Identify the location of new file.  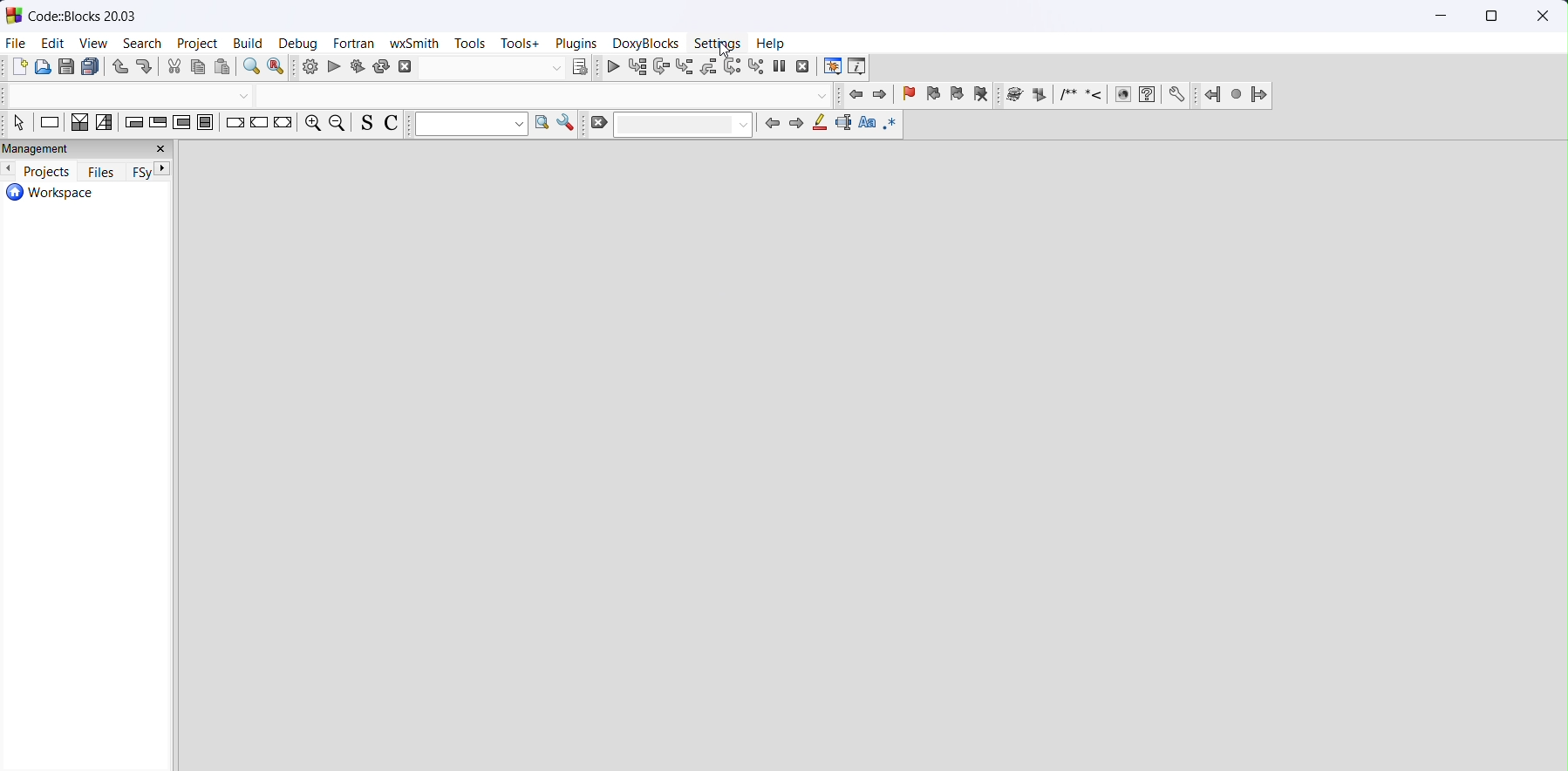
(20, 68).